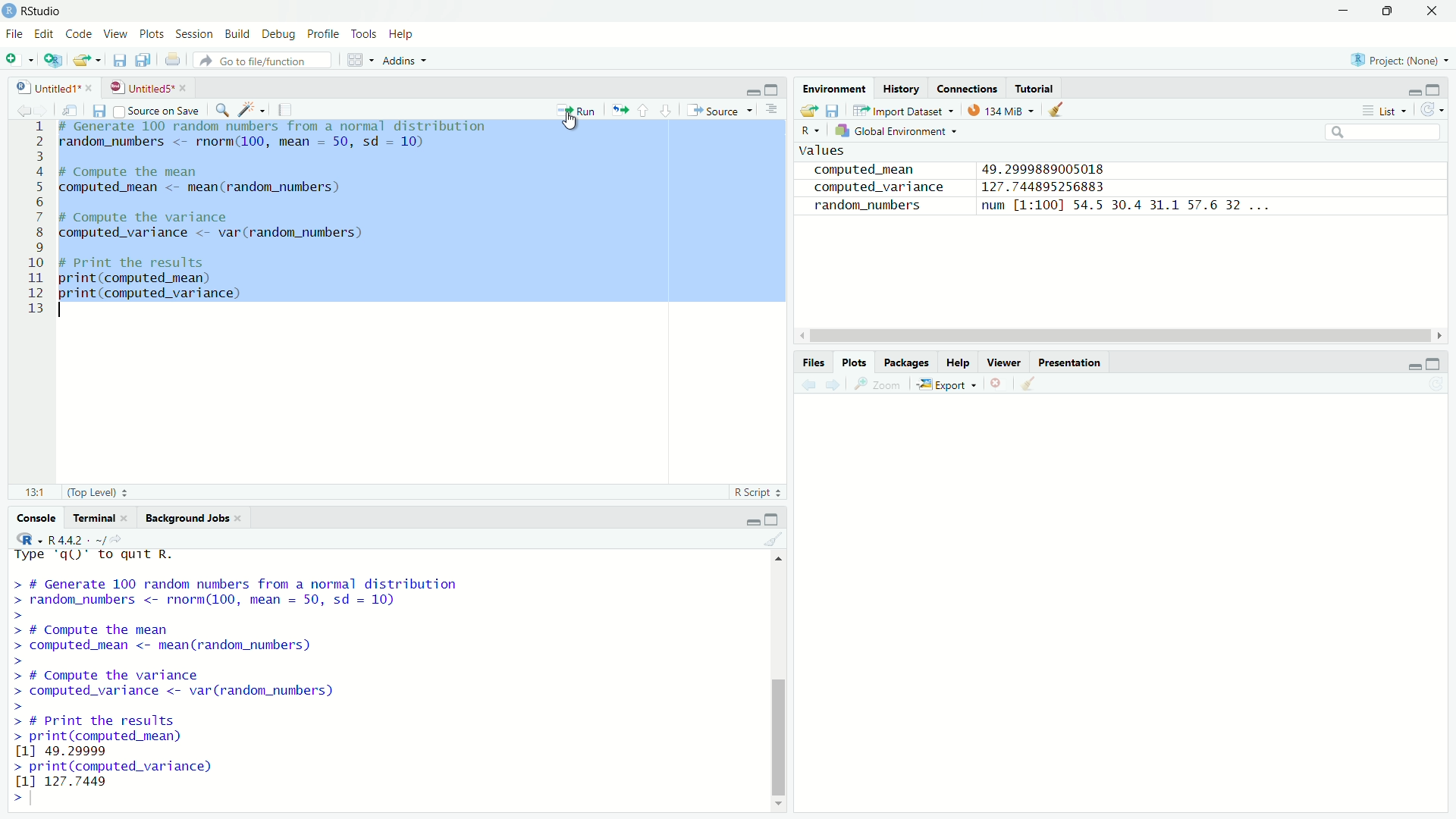 This screenshot has width=1456, height=819. I want to click on minimize, so click(750, 518).